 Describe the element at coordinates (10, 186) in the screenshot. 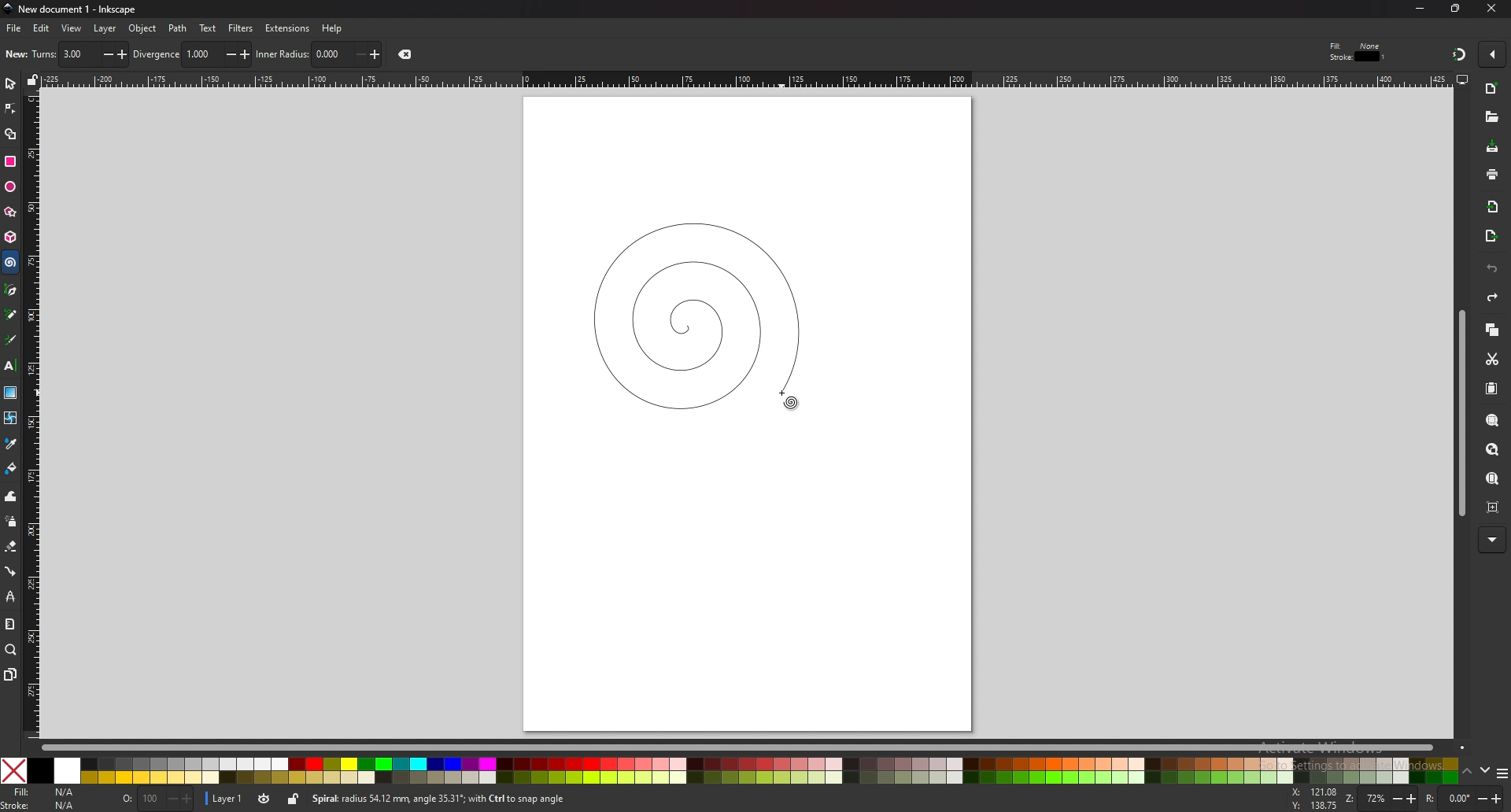

I see `ellipse` at that location.